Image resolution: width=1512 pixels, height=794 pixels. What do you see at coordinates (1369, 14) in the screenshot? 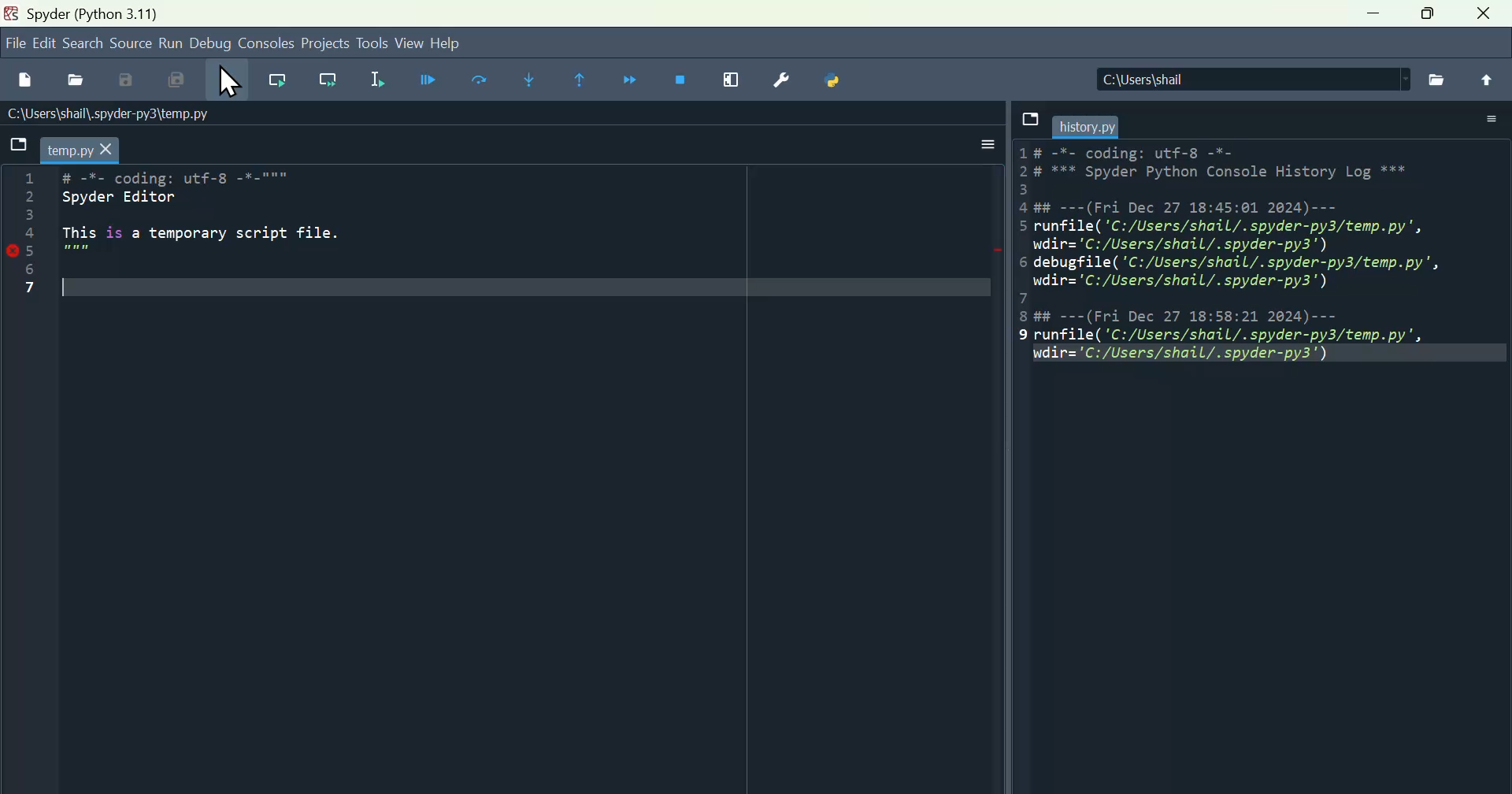
I see `minimise` at bounding box center [1369, 14].